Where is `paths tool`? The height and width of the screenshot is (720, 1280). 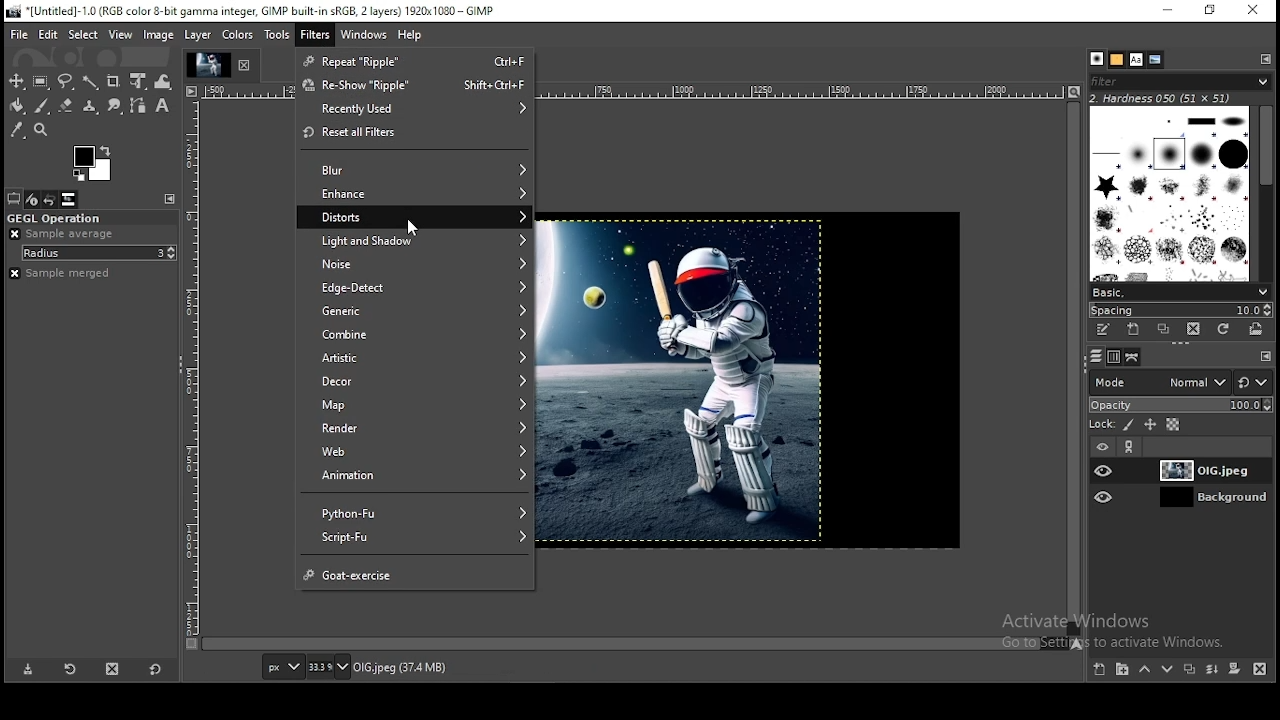 paths tool is located at coordinates (138, 106).